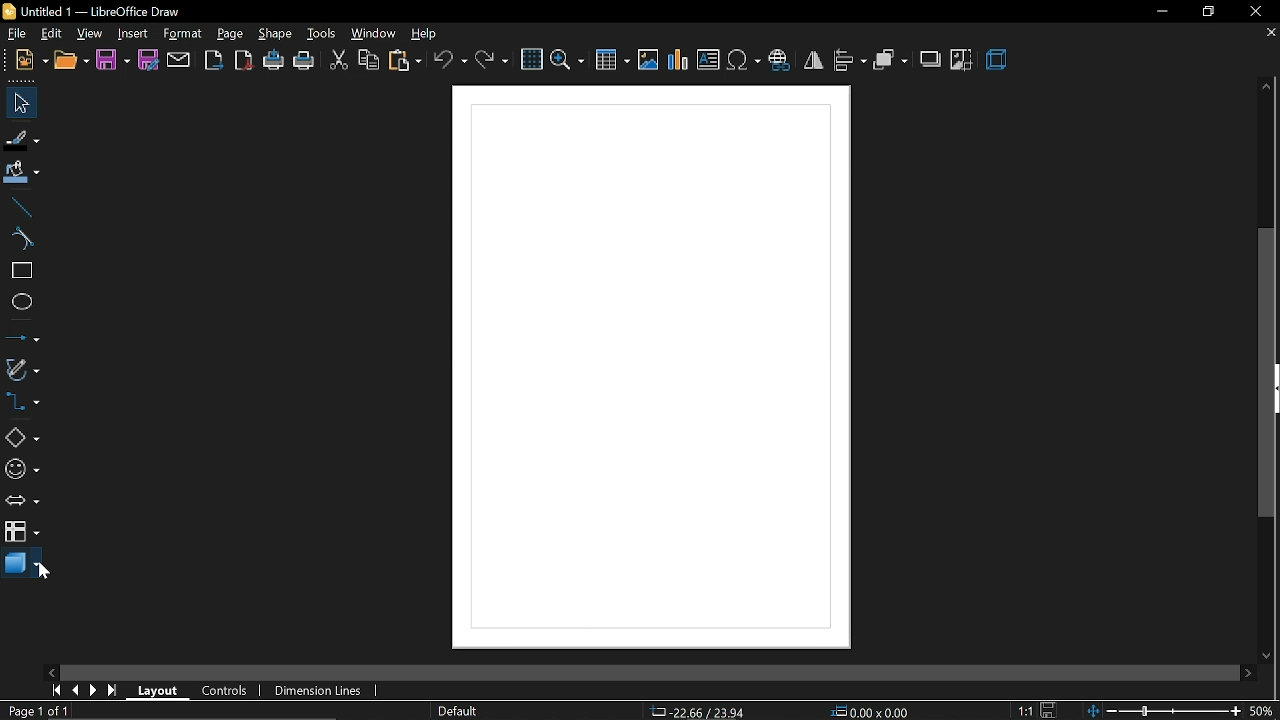 This screenshot has width=1280, height=720. I want to click on minimize, so click(1159, 12).